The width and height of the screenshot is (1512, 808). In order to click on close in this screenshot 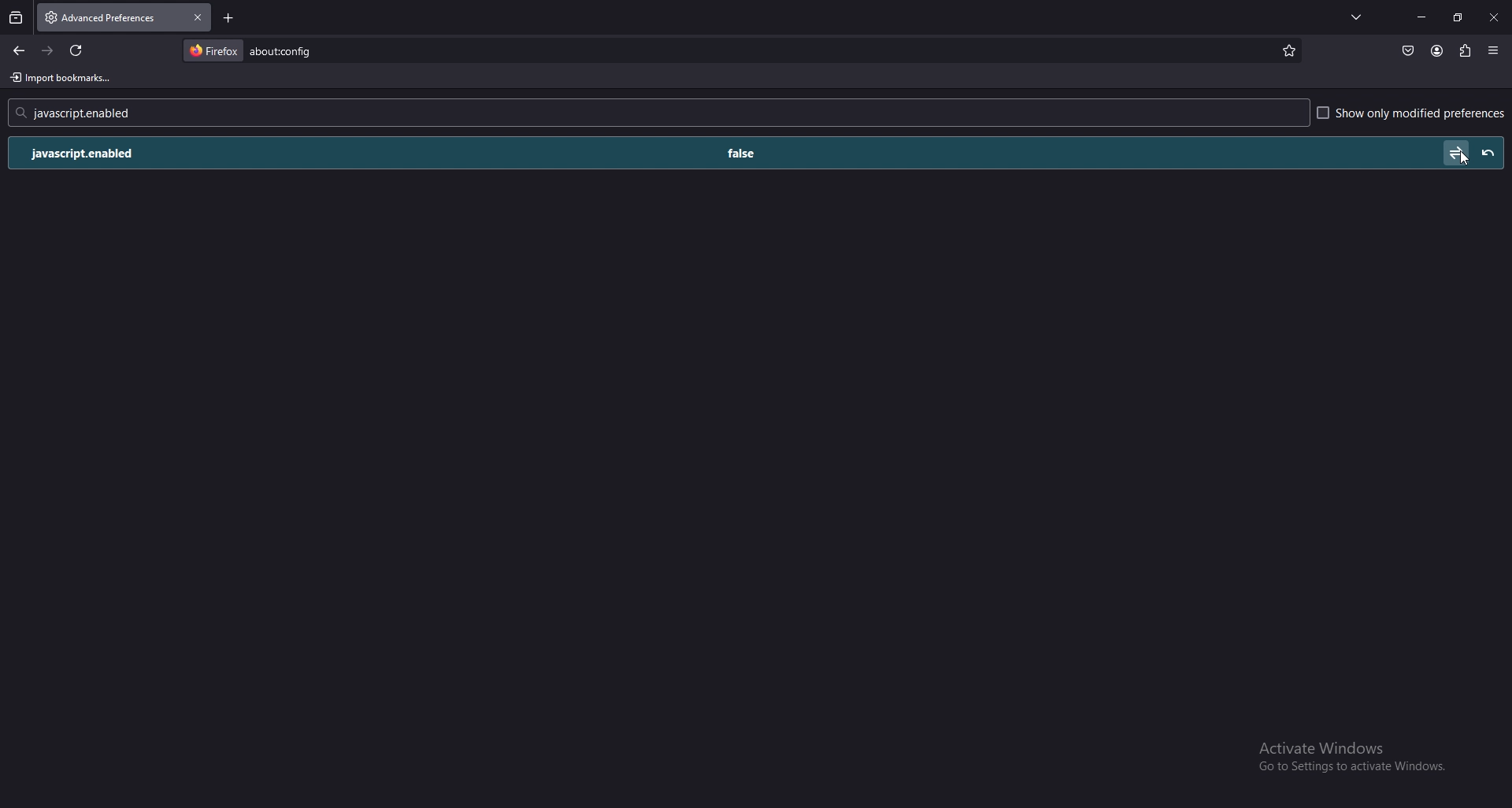, I will do `click(1493, 19)`.